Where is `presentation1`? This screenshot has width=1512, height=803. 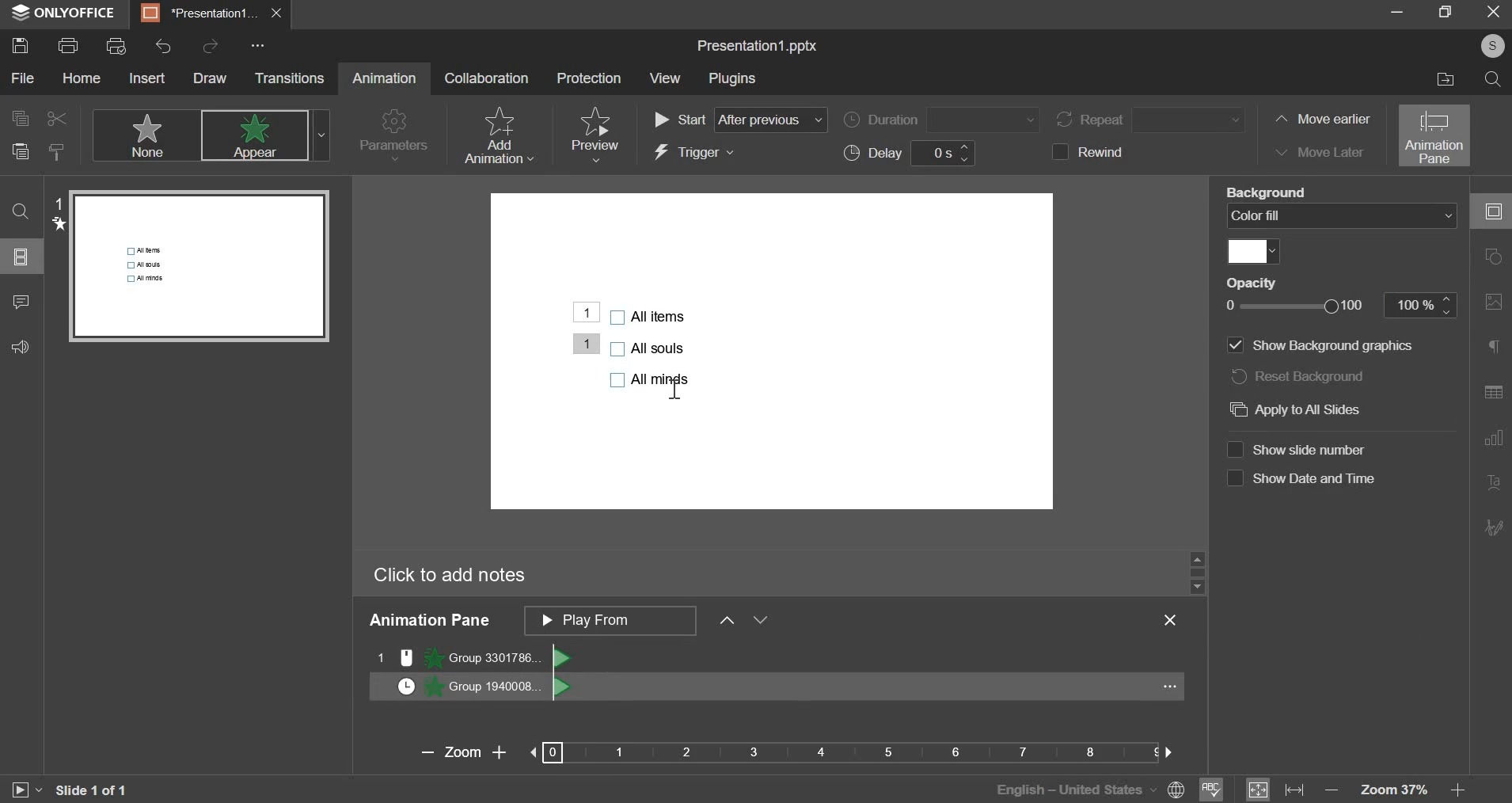
presentation1 is located at coordinates (195, 13).